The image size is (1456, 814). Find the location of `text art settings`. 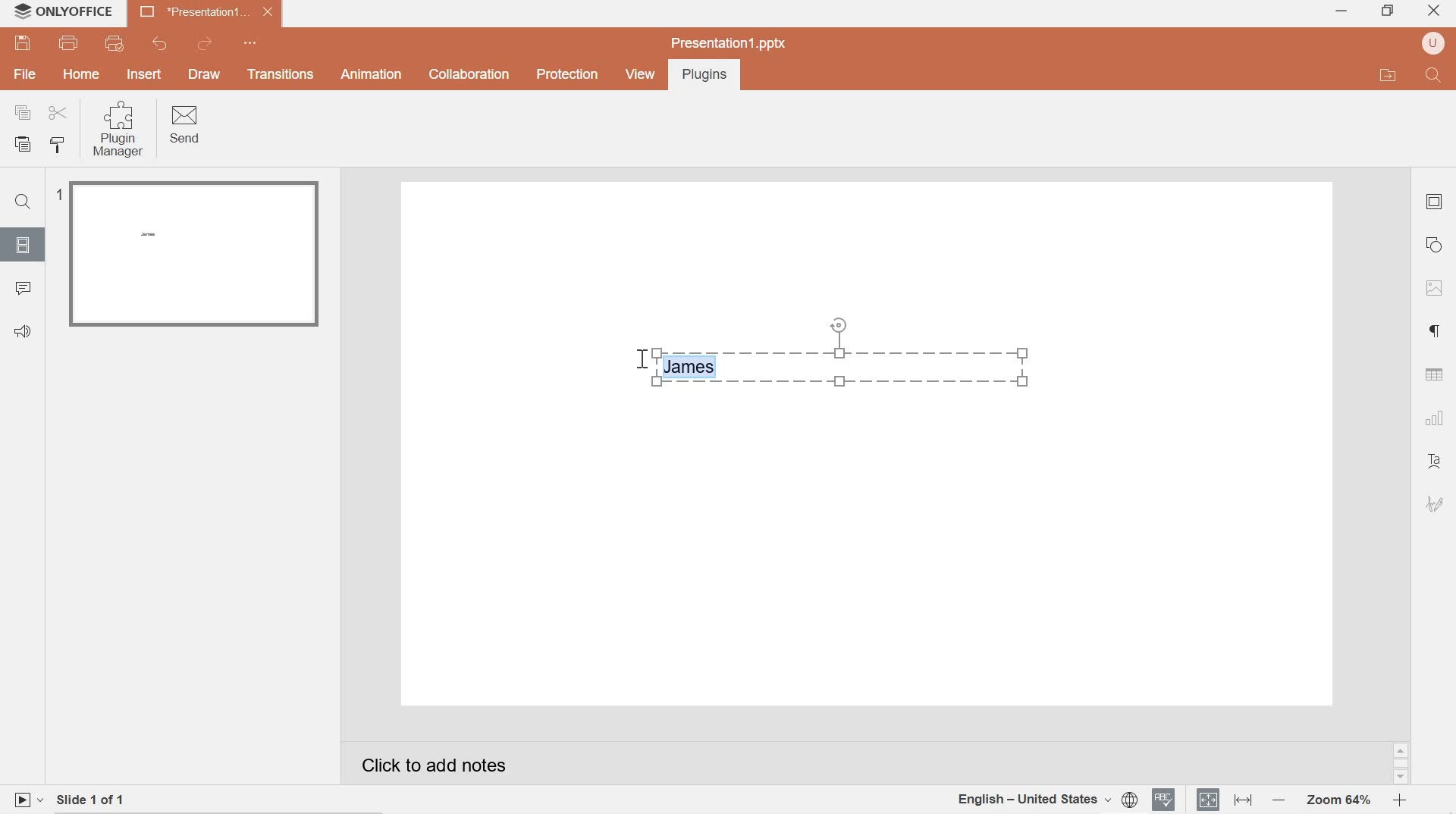

text art settings is located at coordinates (1438, 463).